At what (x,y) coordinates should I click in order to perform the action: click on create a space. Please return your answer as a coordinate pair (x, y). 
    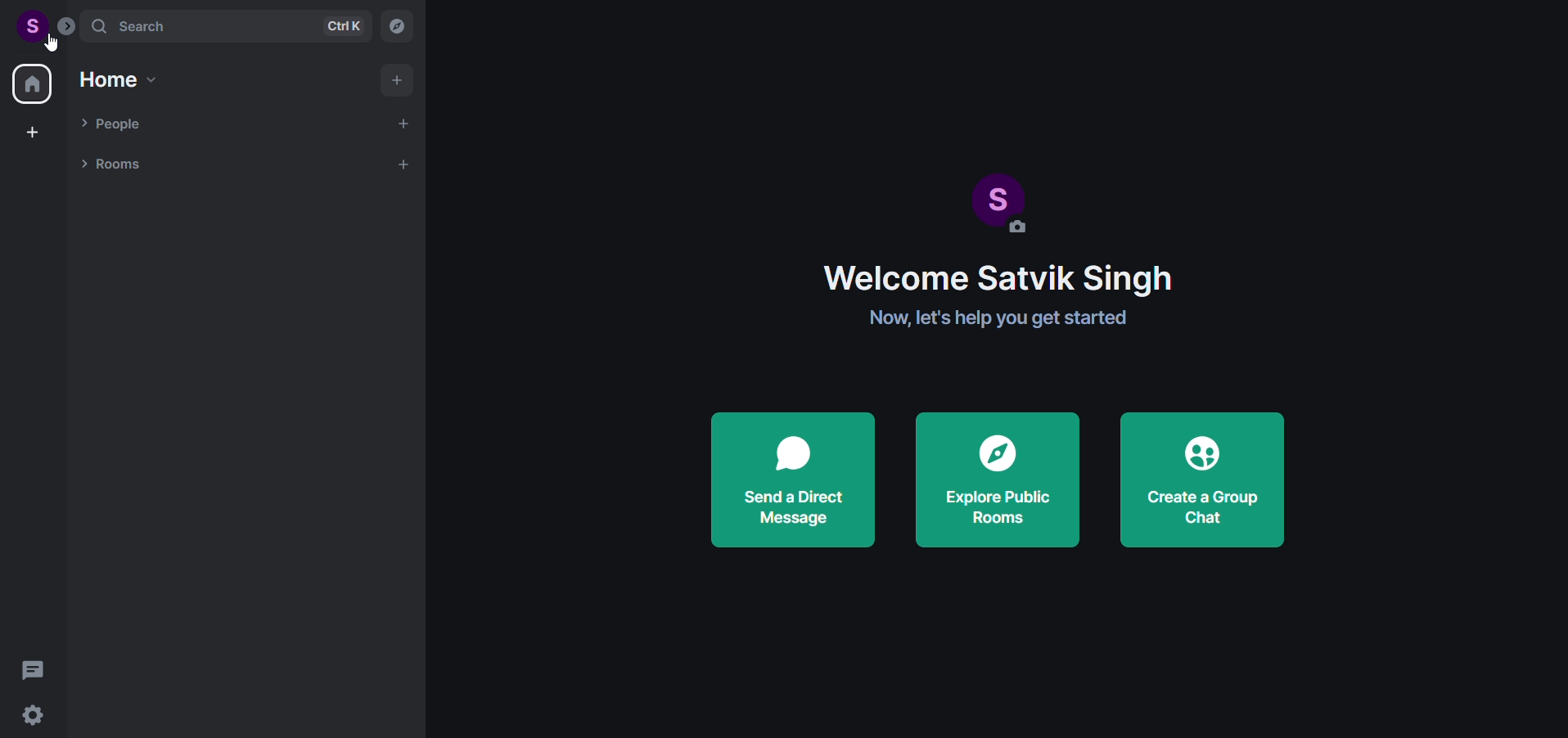
    Looking at the image, I should click on (34, 131).